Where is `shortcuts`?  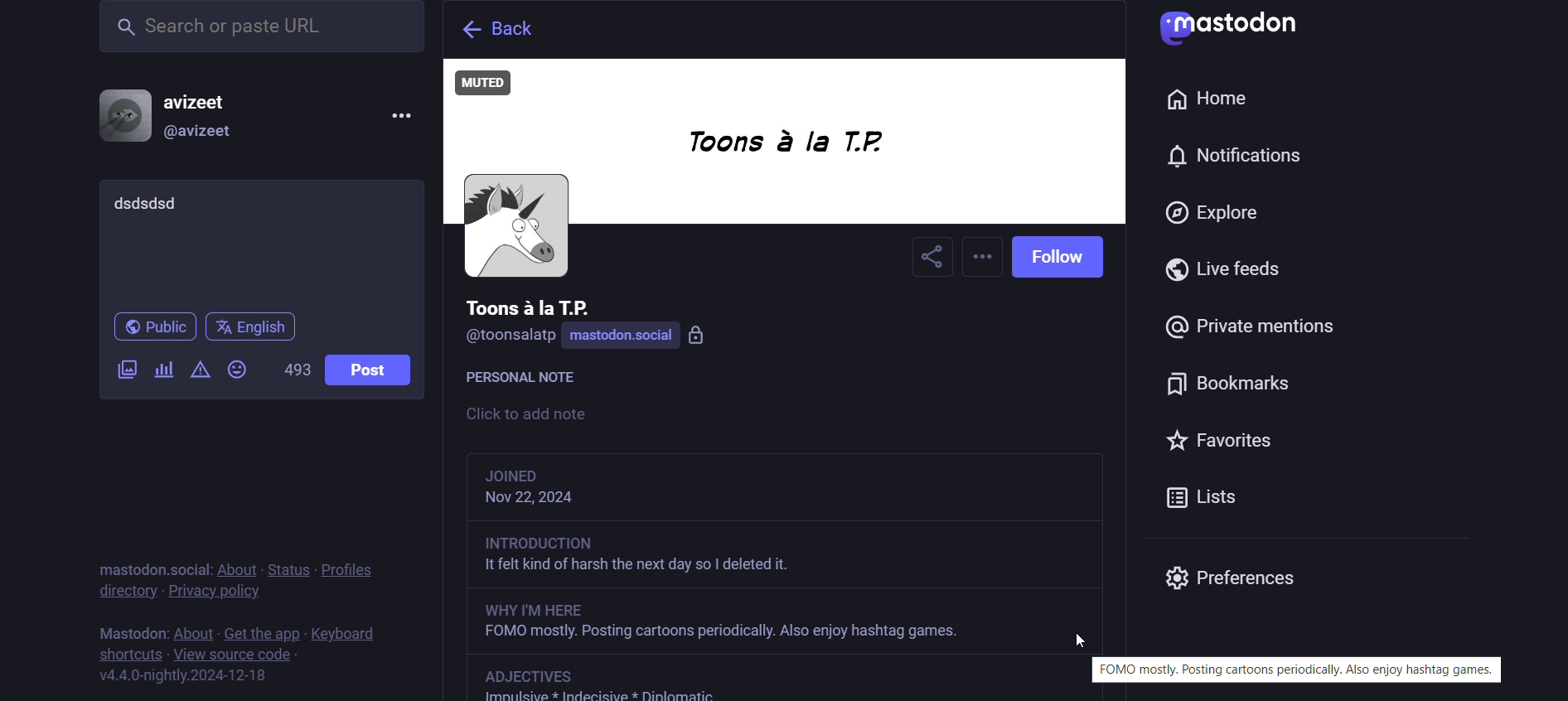 shortcuts is located at coordinates (127, 652).